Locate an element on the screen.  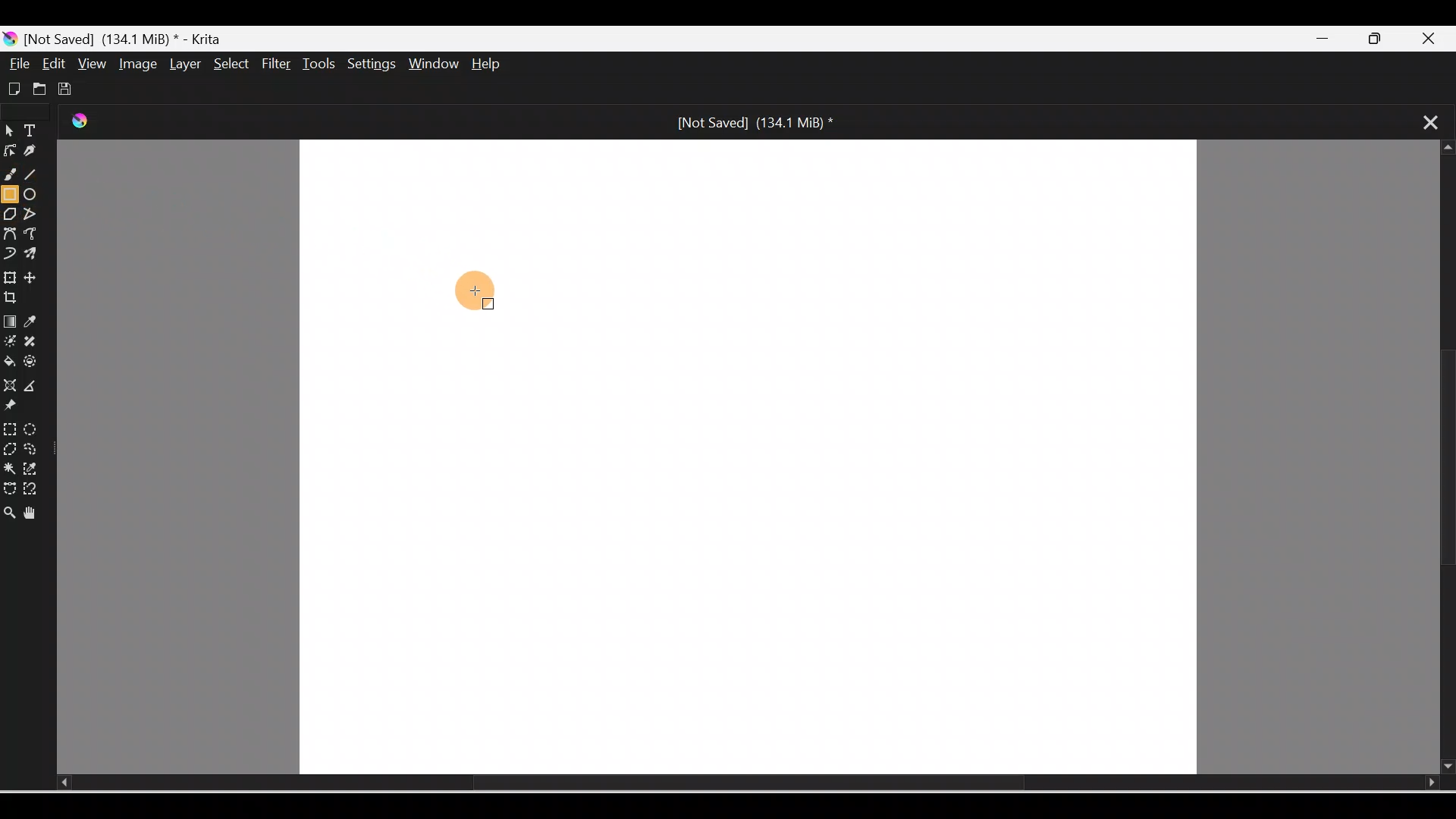
Select shapes tool is located at coordinates (9, 133).